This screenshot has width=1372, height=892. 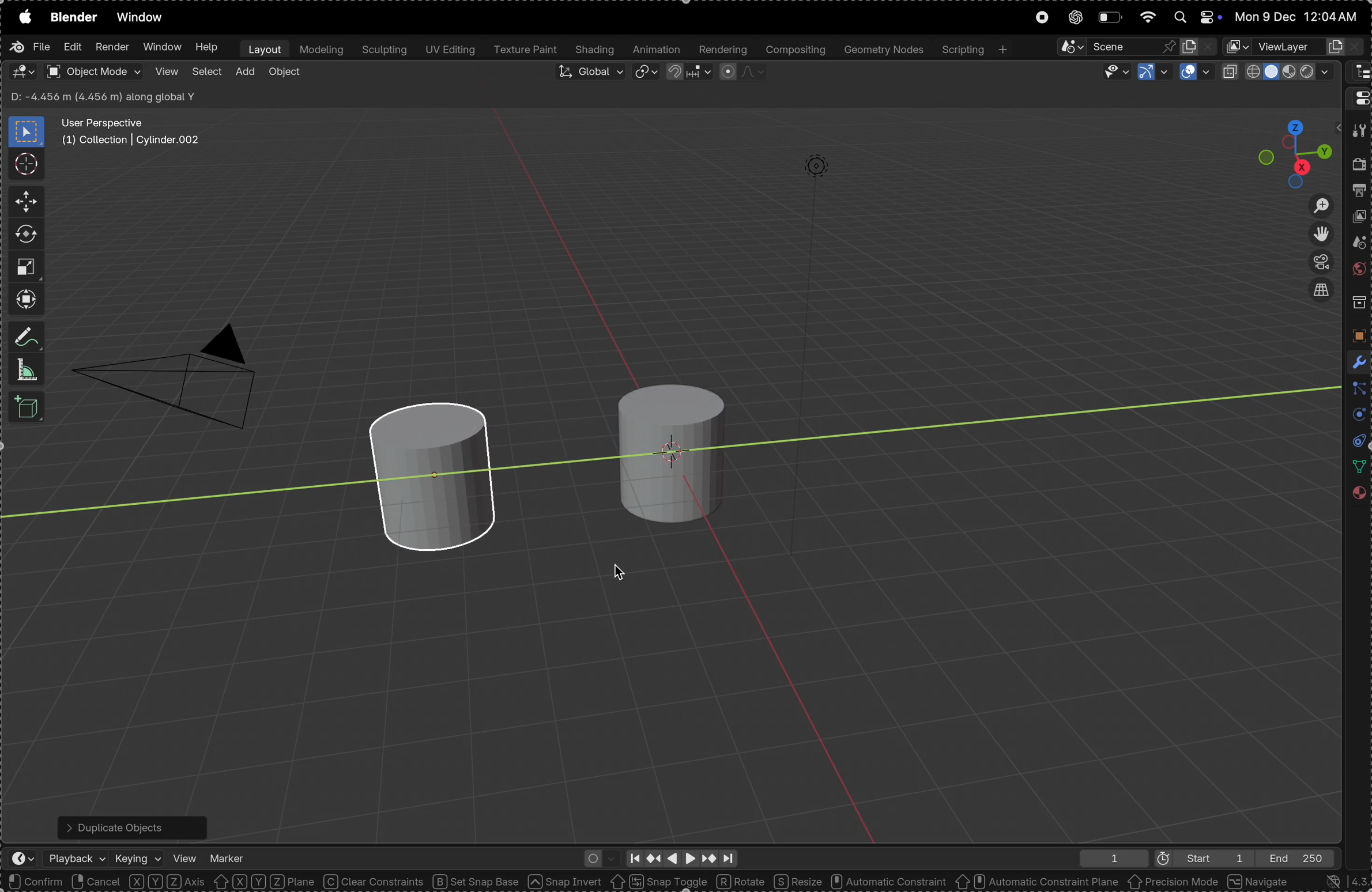 I want to click on cylinder, so click(x=664, y=447).